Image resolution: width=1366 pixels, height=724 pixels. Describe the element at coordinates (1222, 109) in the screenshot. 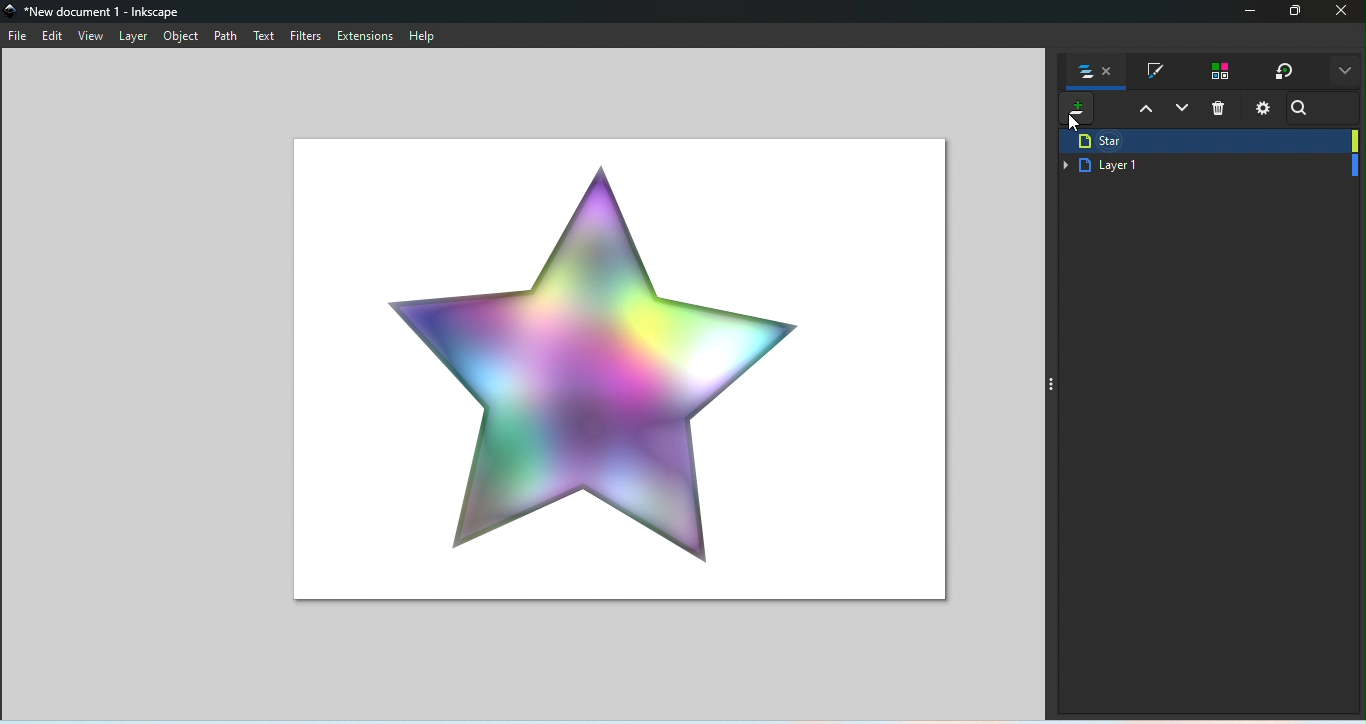

I see `Delete selected items` at that location.